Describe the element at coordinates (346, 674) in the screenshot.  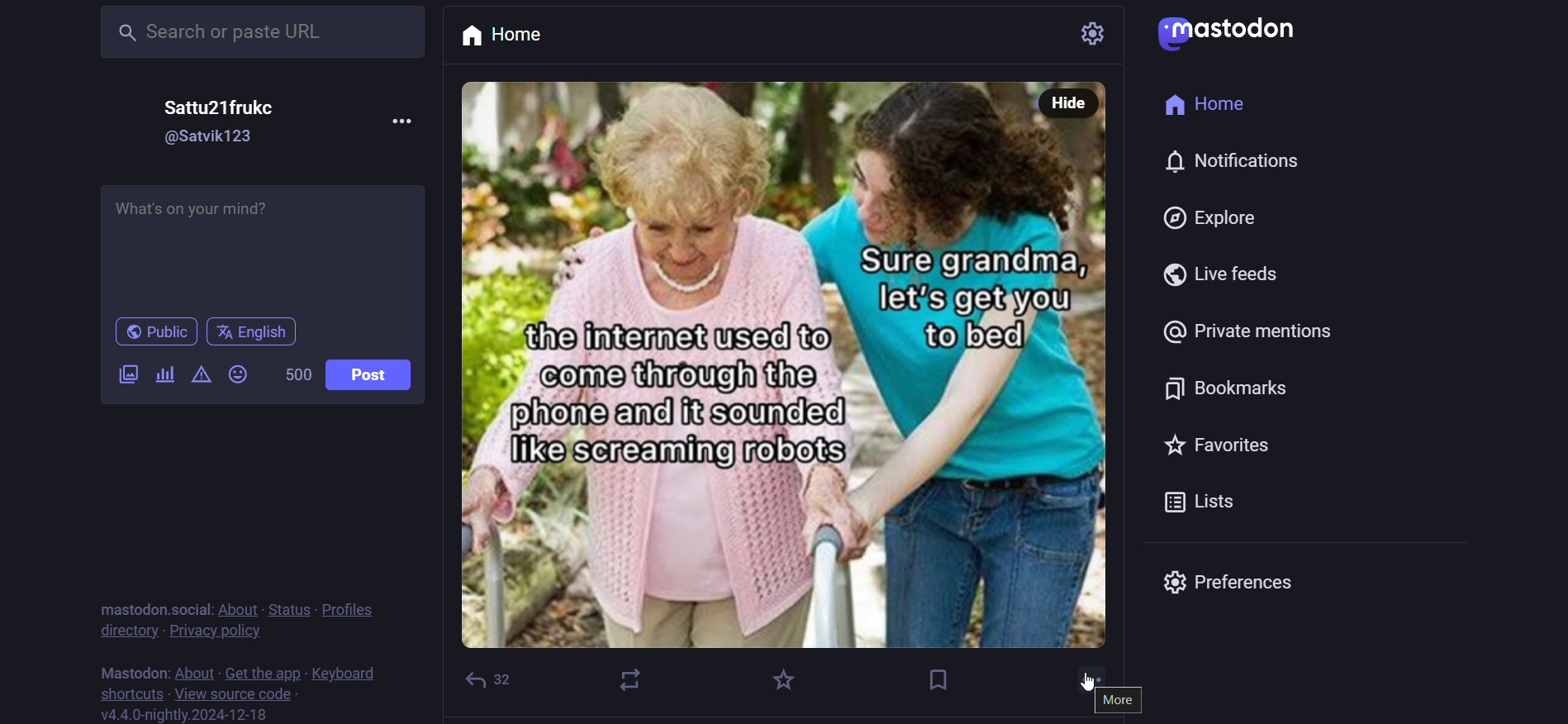
I see `keyboard` at that location.